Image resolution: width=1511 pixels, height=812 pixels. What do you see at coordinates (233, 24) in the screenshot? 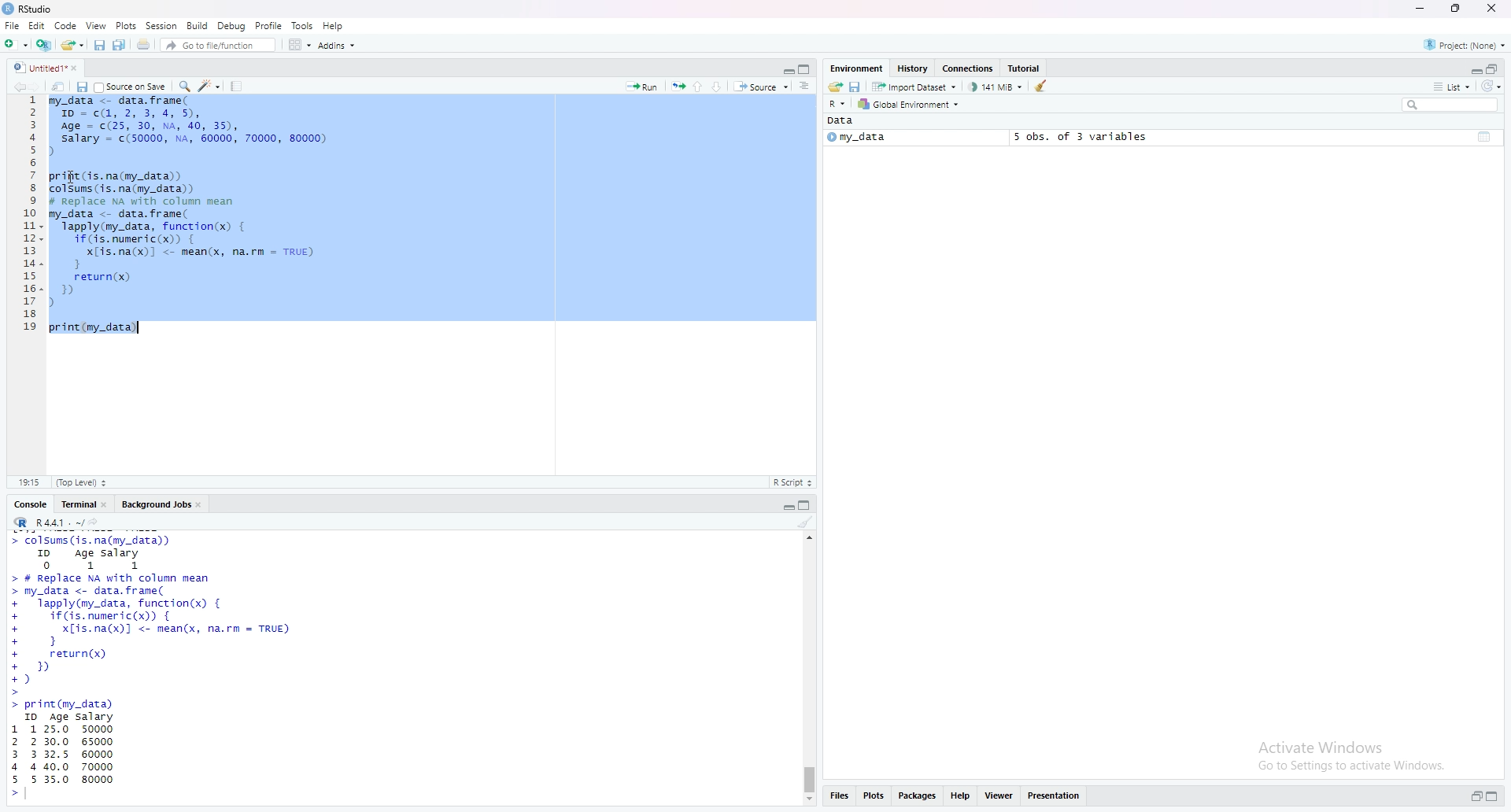
I see `Debug` at bounding box center [233, 24].